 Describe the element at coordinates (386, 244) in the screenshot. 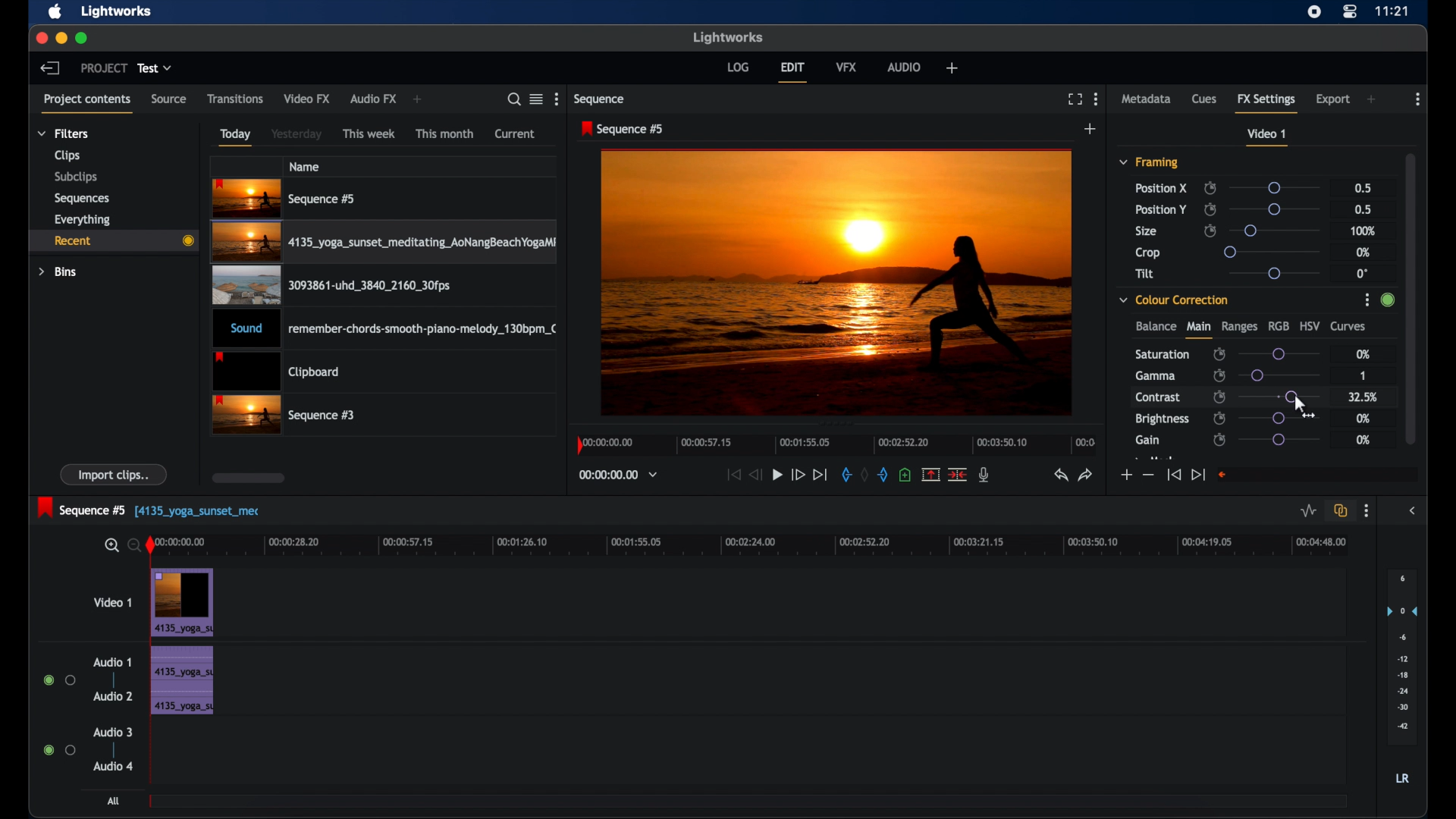

I see `video clip` at that location.